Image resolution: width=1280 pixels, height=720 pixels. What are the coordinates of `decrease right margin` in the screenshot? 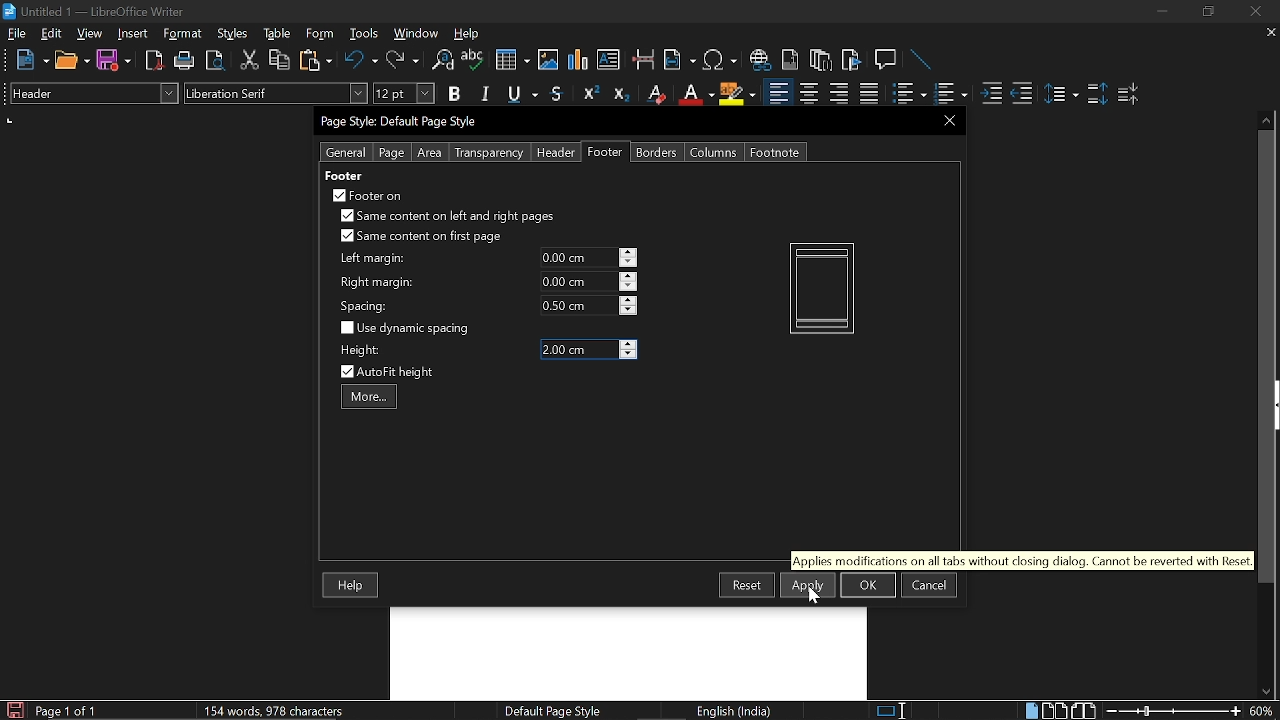 It's located at (629, 288).